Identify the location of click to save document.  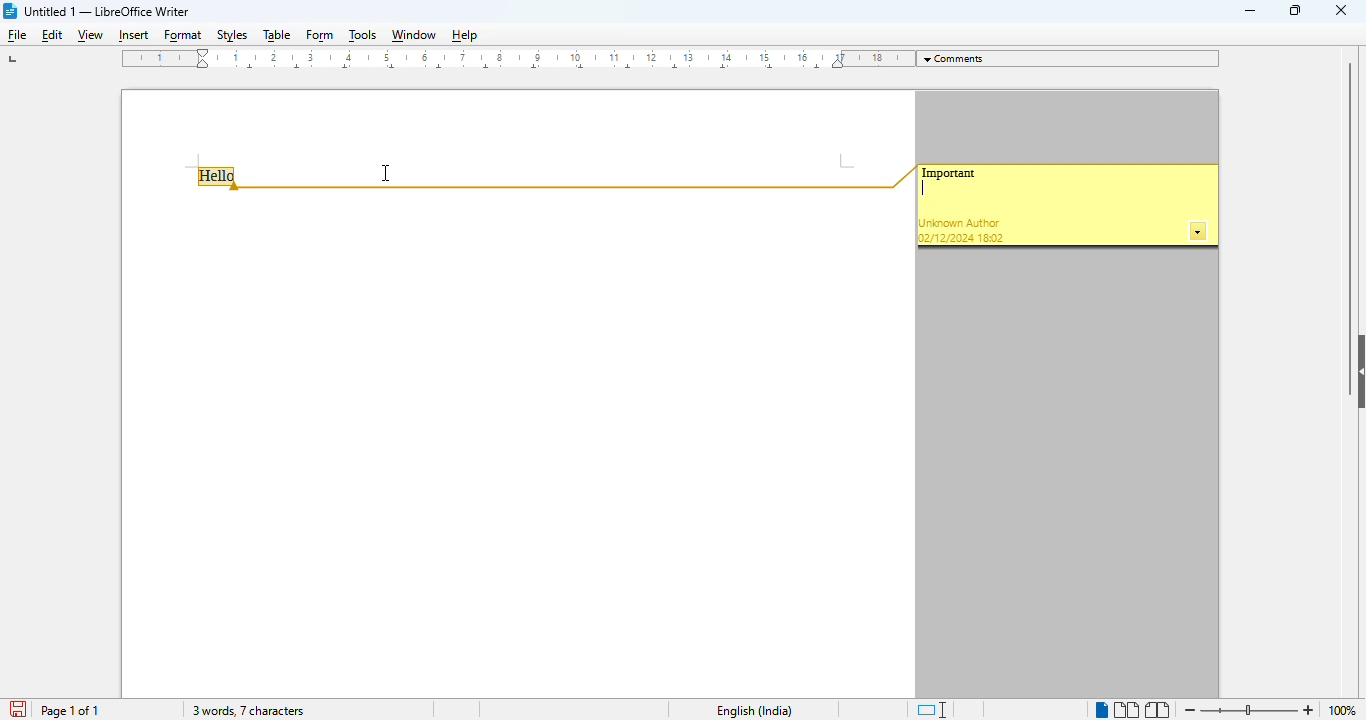
(20, 710).